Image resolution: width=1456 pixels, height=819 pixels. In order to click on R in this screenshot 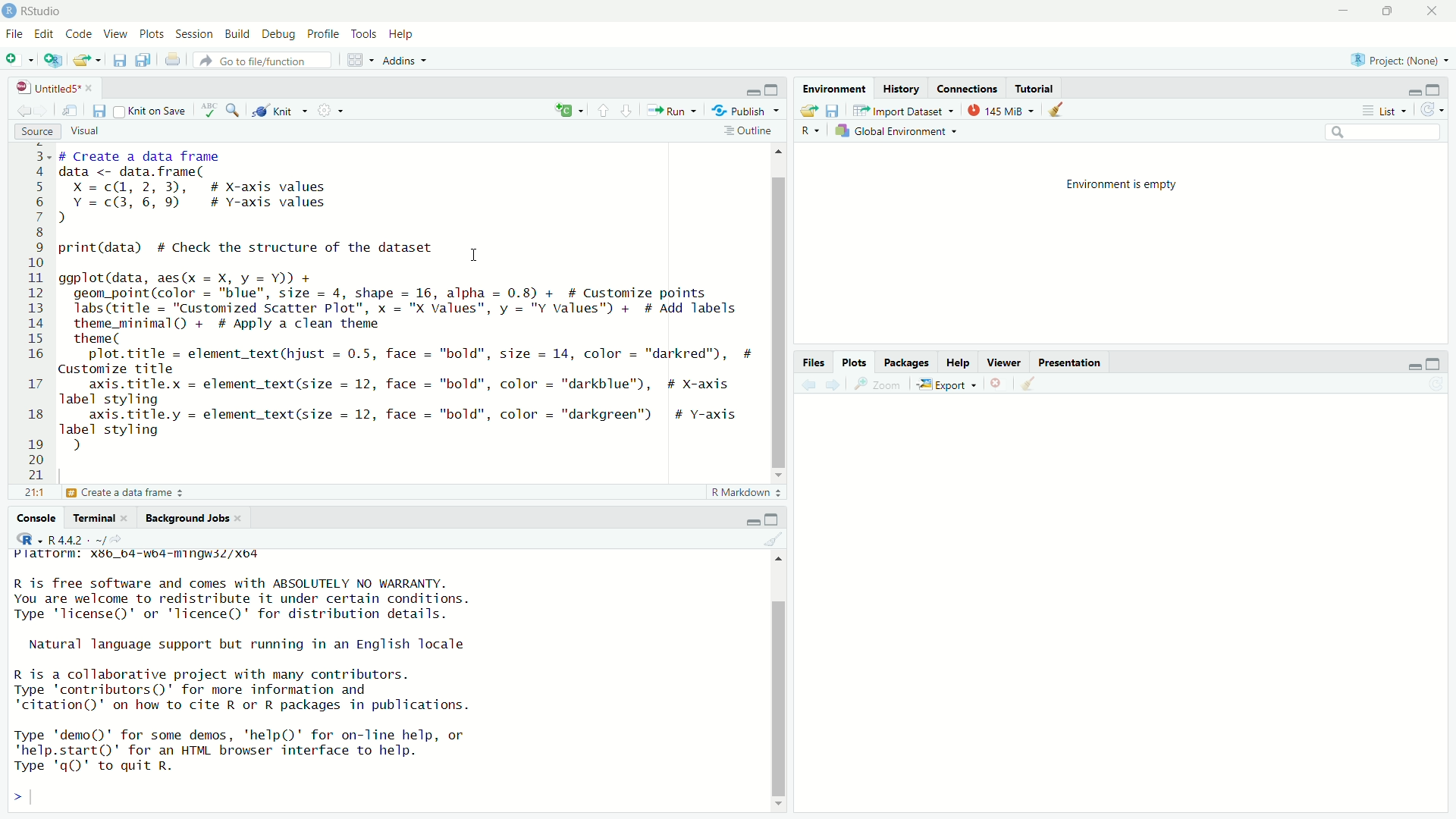, I will do `click(805, 130)`.